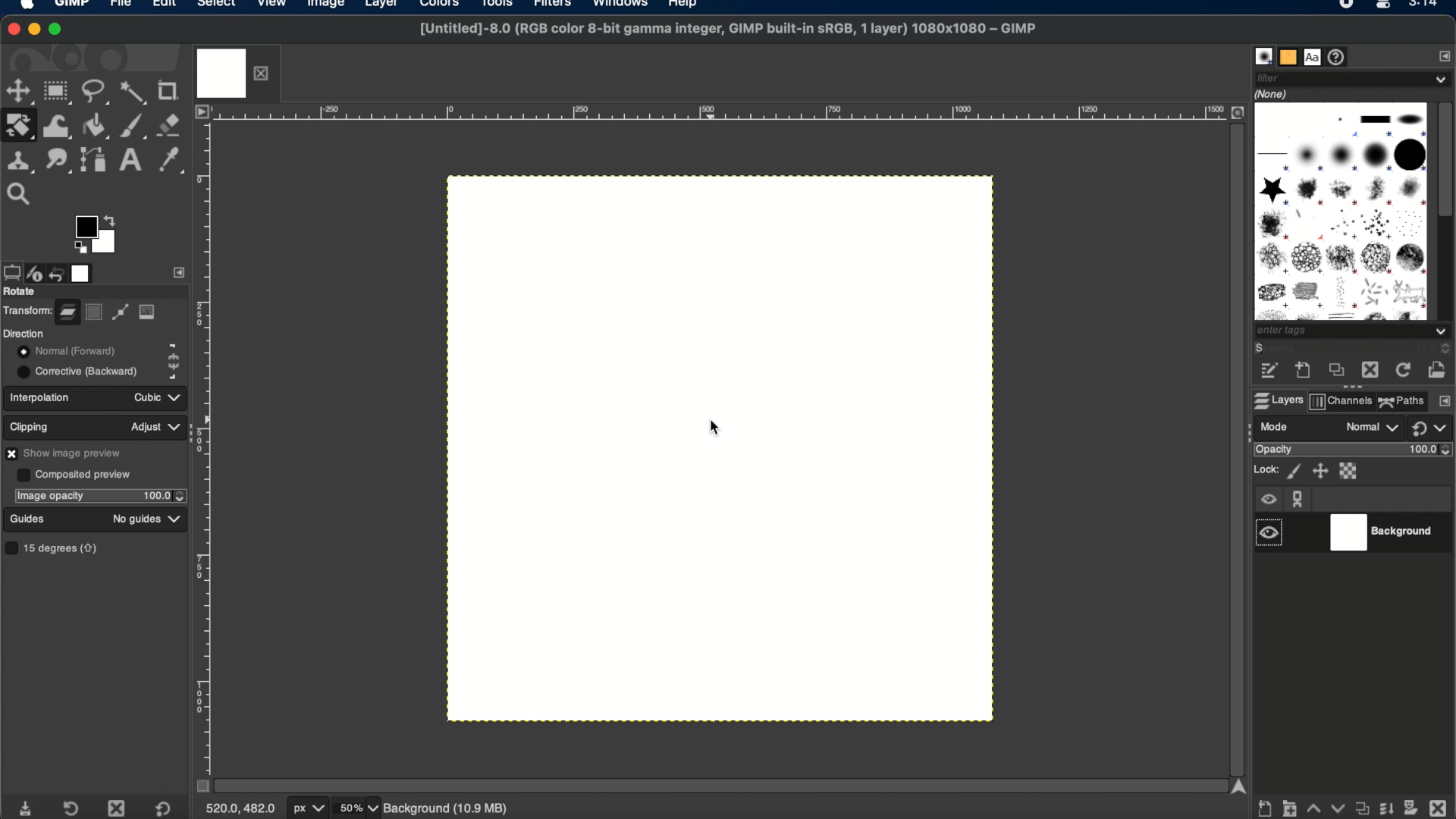  Describe the element at coordinates (725, 33) in the screenshot. I see `[Untitled]-8.0 (RGB color 8-bit gamma integer, GIMP built-in sRGB, 1 layer) 1080x1080 - GIMP` at that location.